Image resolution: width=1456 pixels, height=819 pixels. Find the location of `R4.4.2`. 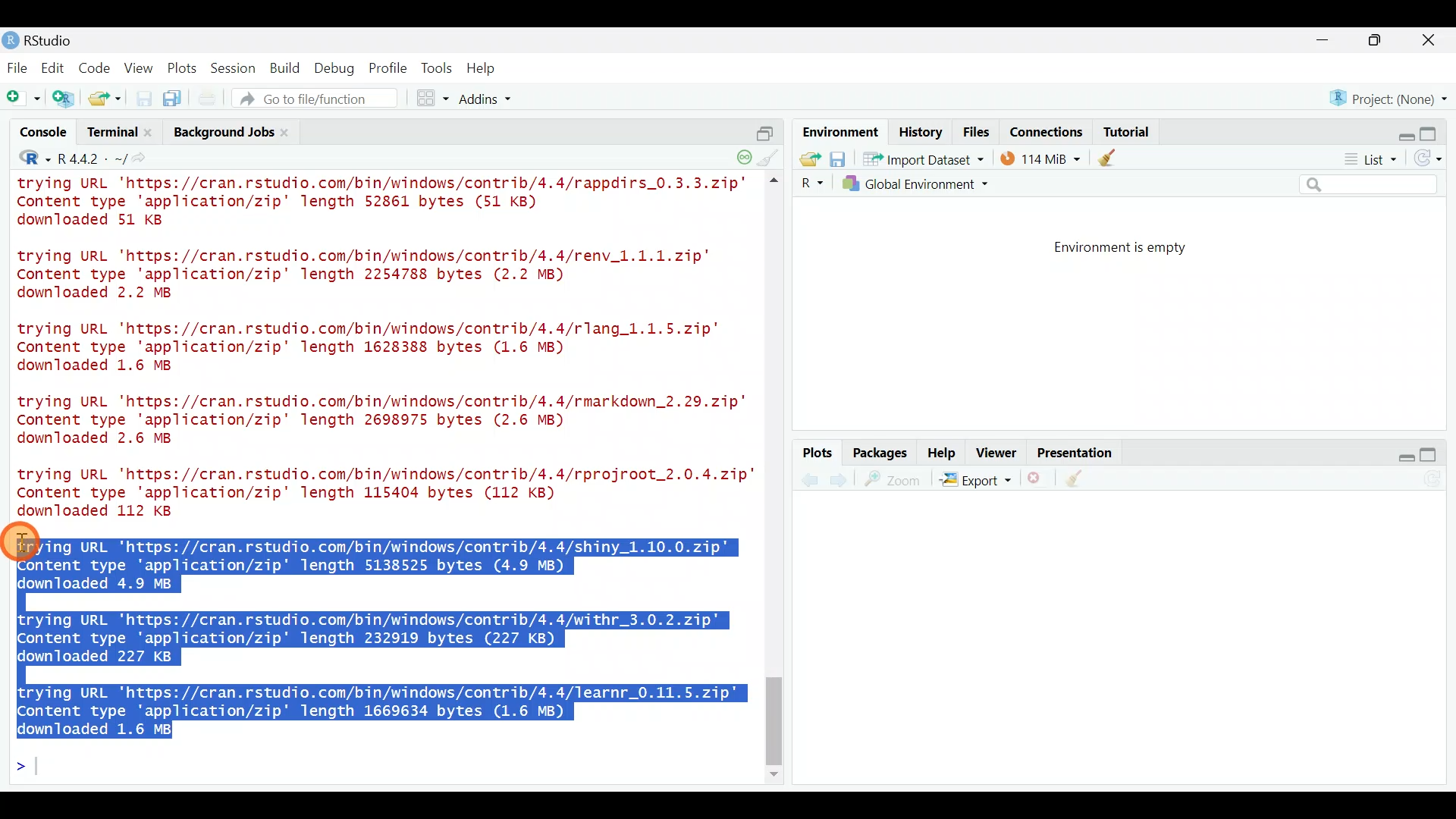

R4.4.2 is located at coordinates (91, 158).